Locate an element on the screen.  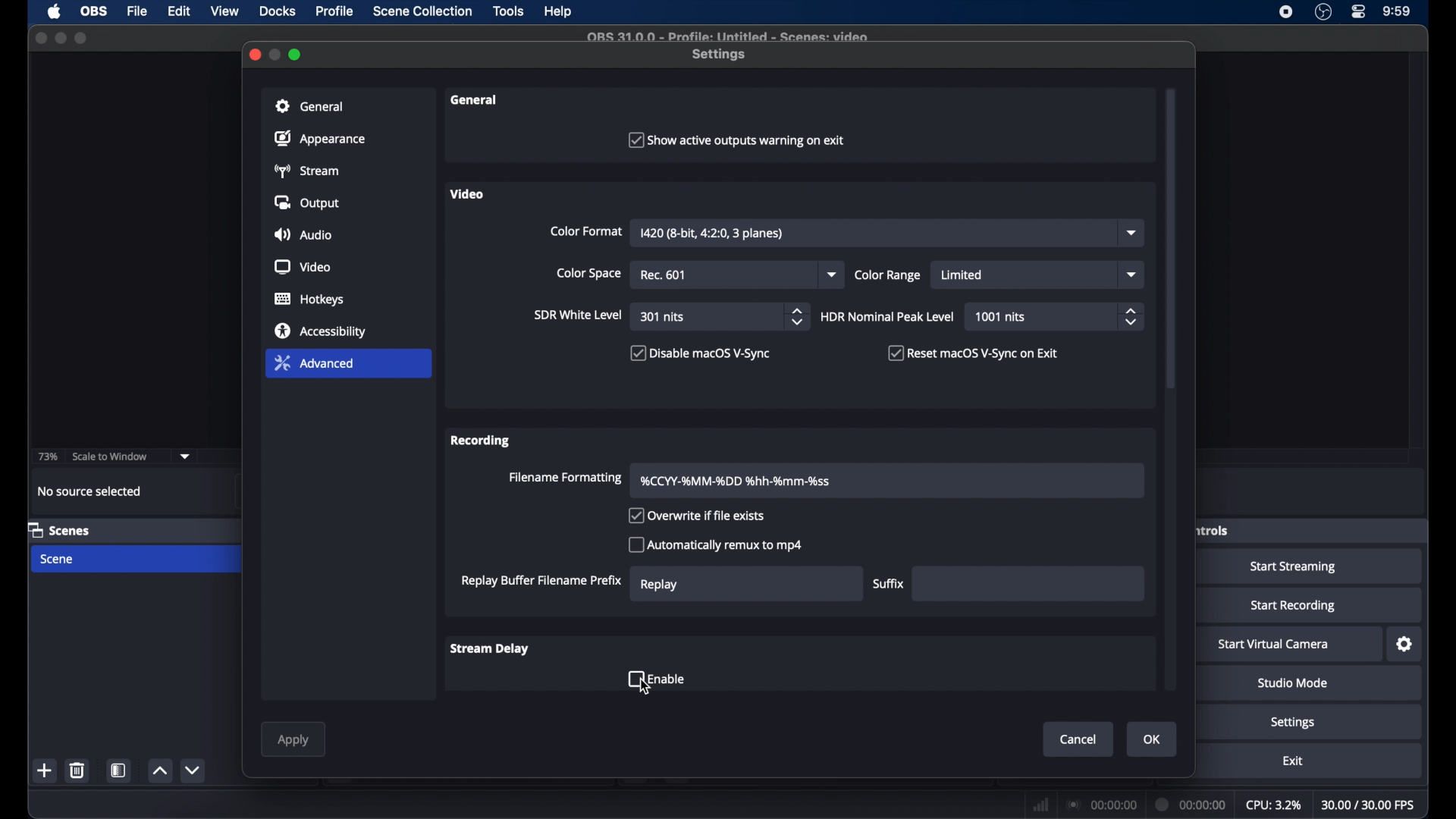
advanced is located at coordinates (314, 362).